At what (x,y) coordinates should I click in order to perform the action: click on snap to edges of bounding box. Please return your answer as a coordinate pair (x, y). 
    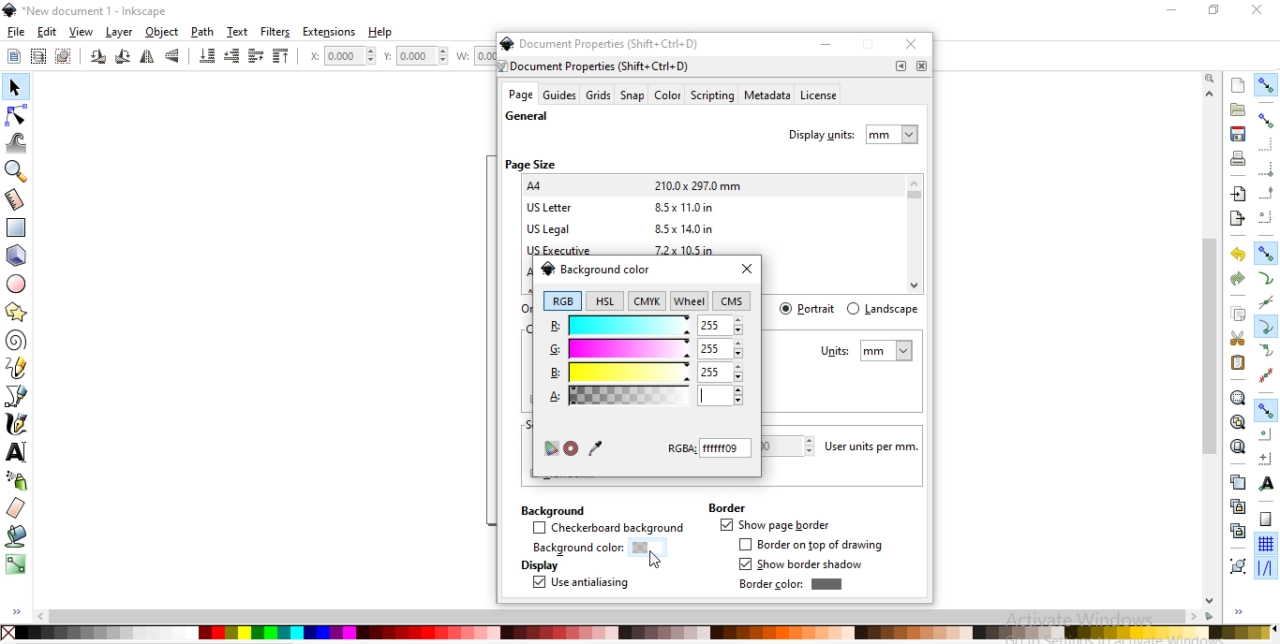
    Looking at the image, I should click on (1267, 144).